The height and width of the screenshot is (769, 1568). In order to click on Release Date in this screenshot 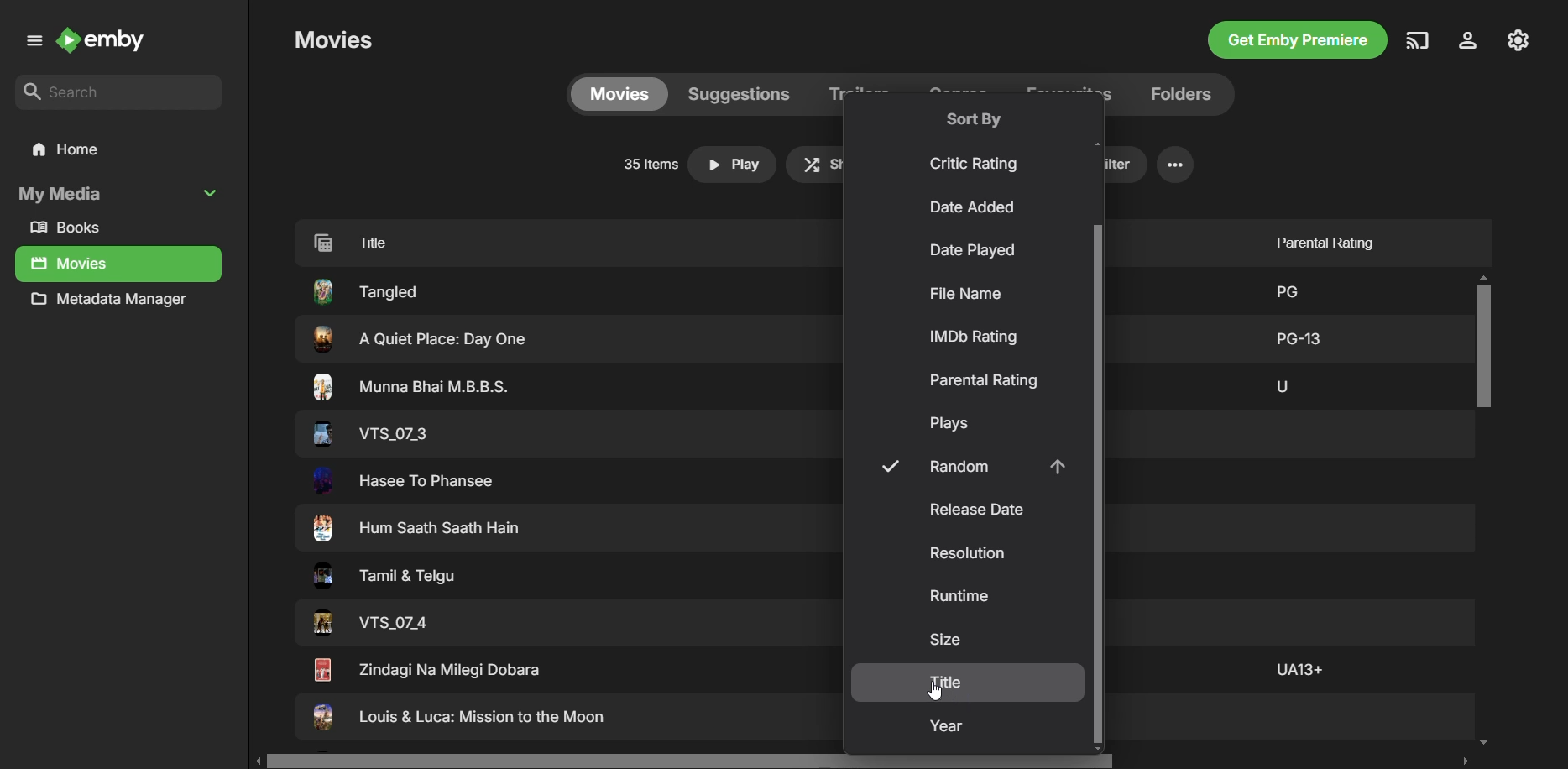, I will do `click(975, 510)`.